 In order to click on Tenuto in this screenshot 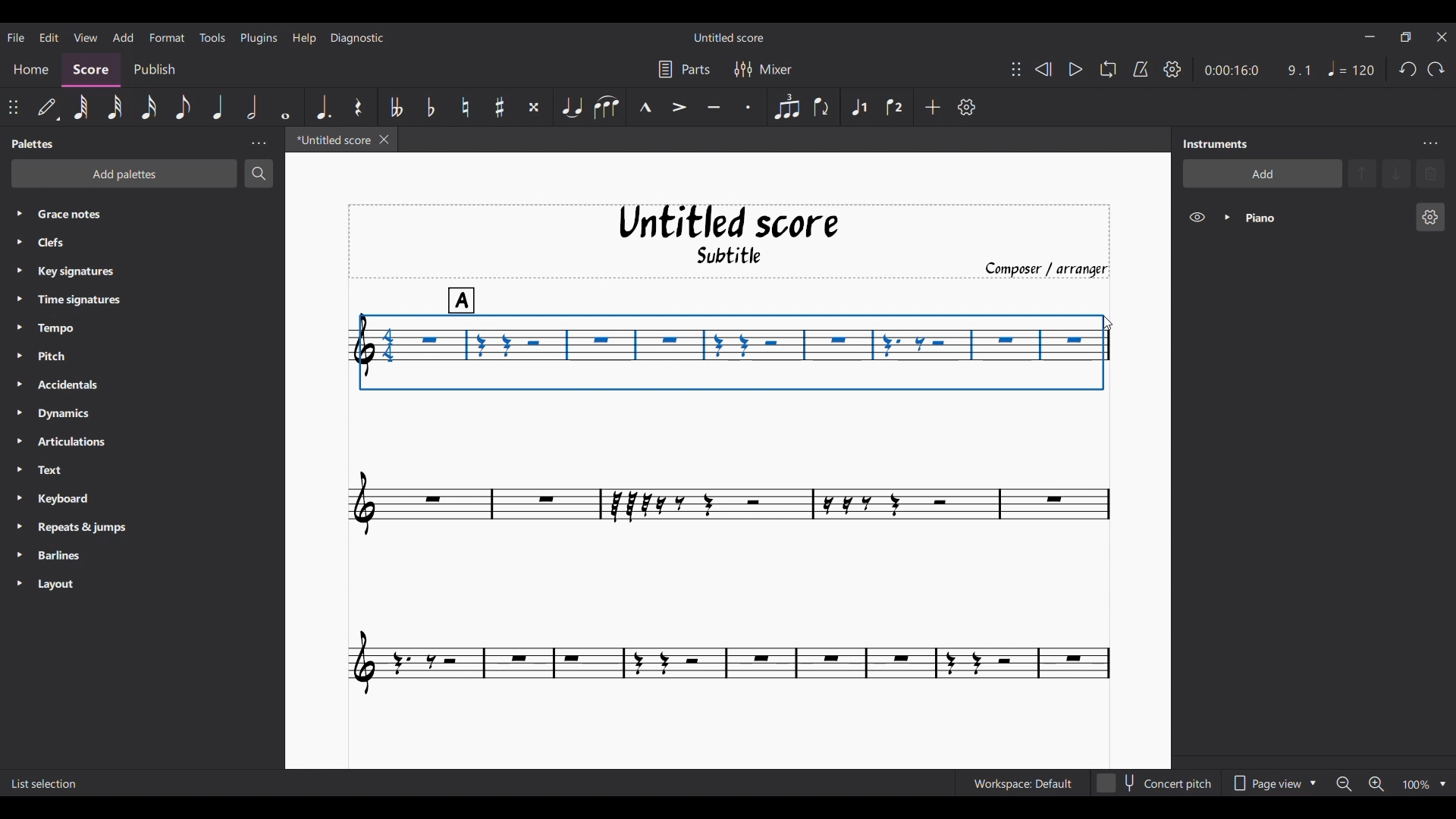, I will do `click(714, 106)`.